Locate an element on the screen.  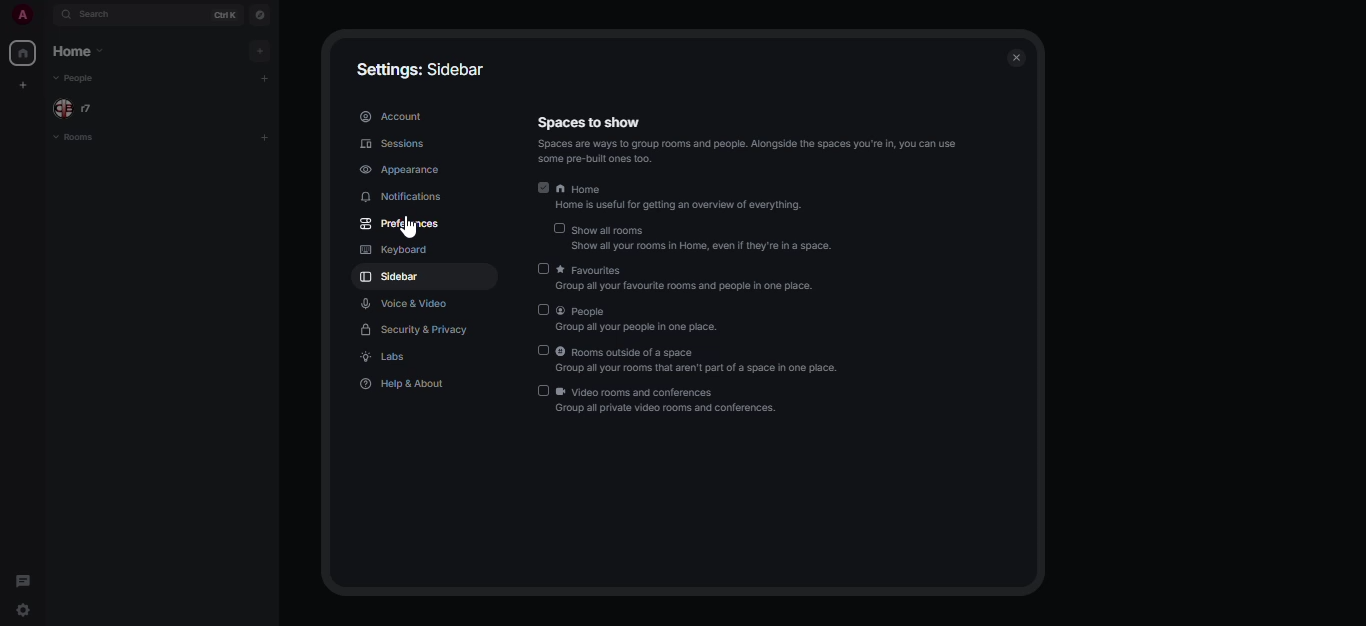
expand is located at coordinates (46, 15).